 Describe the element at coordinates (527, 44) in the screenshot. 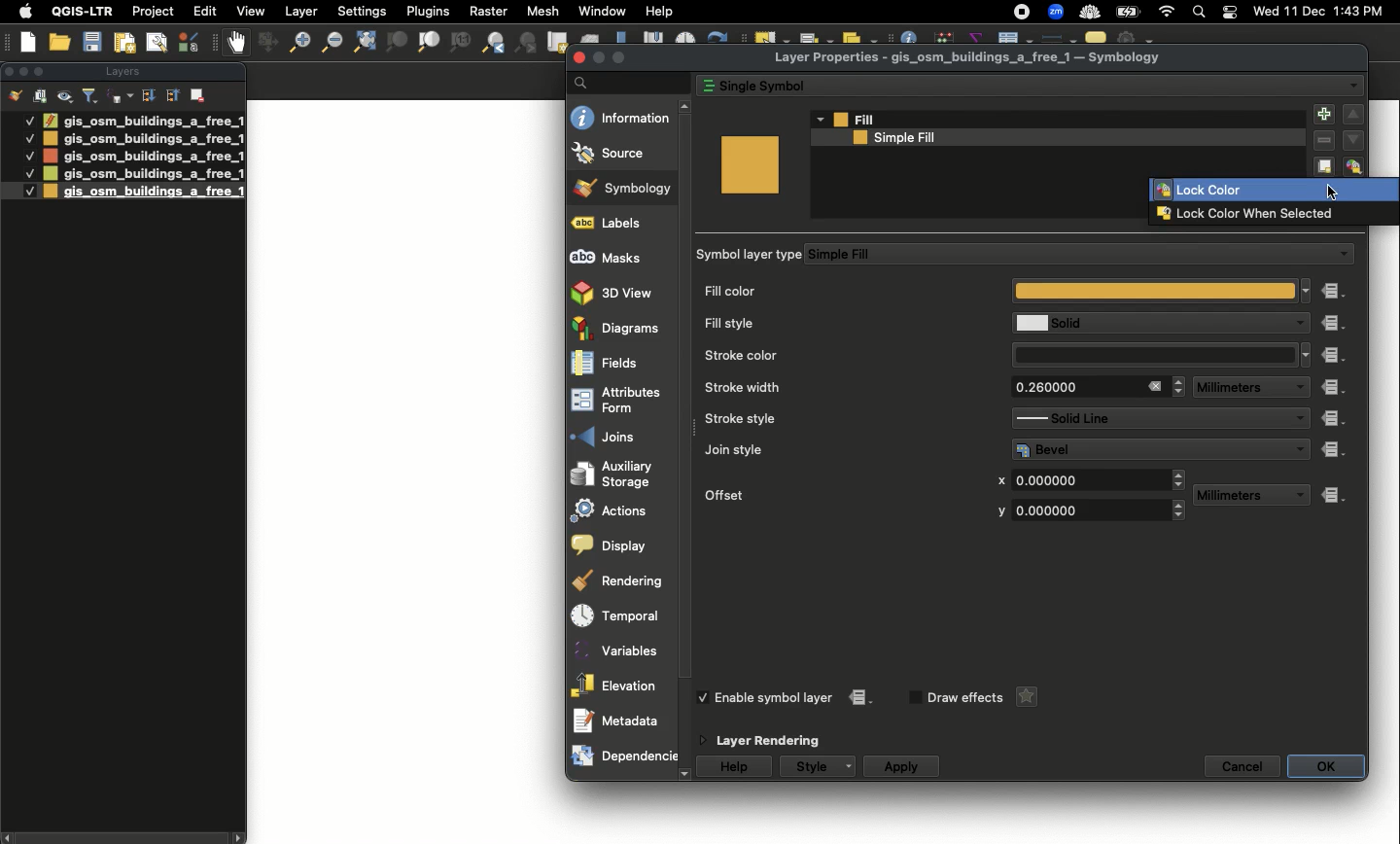

I see `Zoom first` at that location.